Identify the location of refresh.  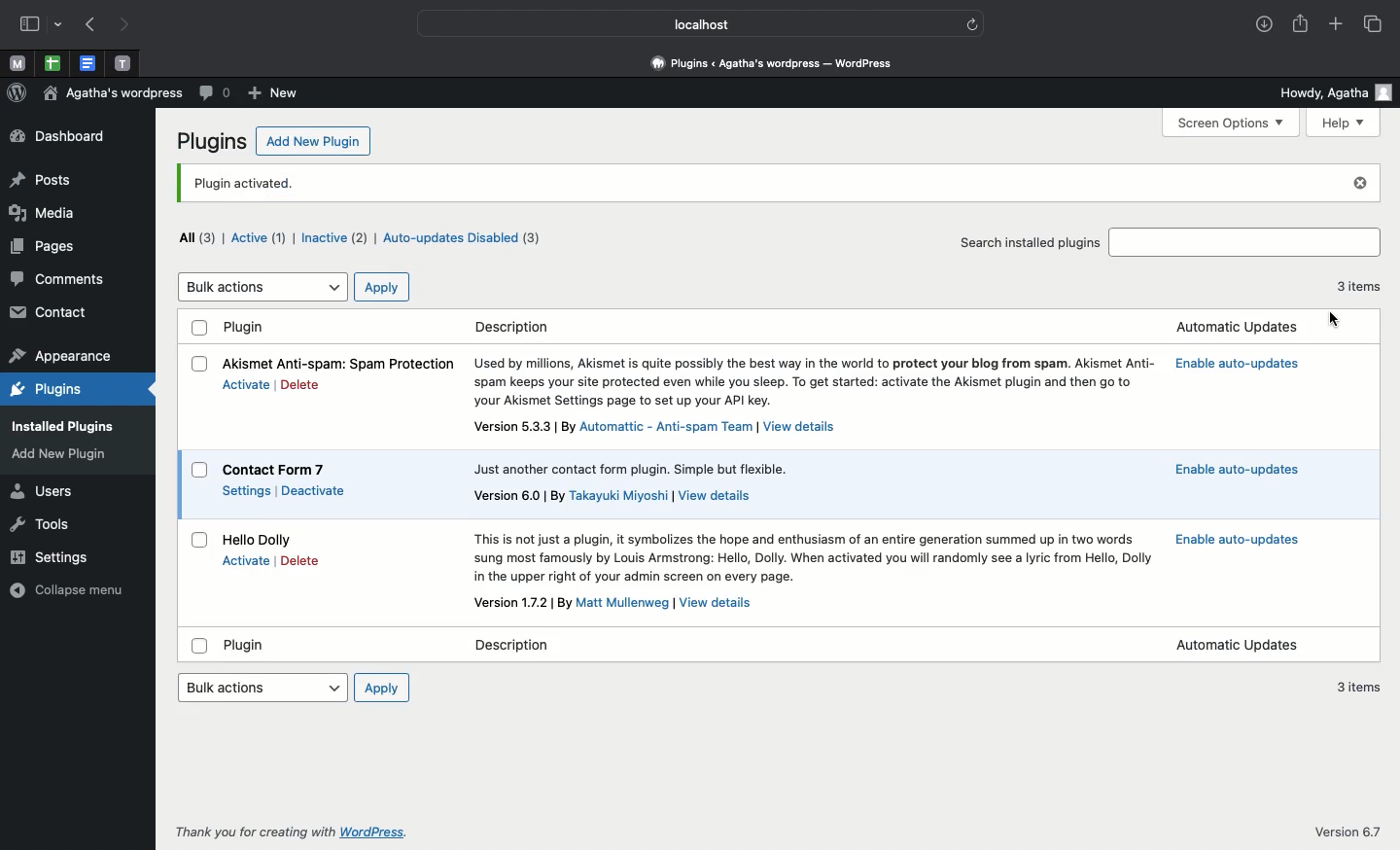
(972, 23).